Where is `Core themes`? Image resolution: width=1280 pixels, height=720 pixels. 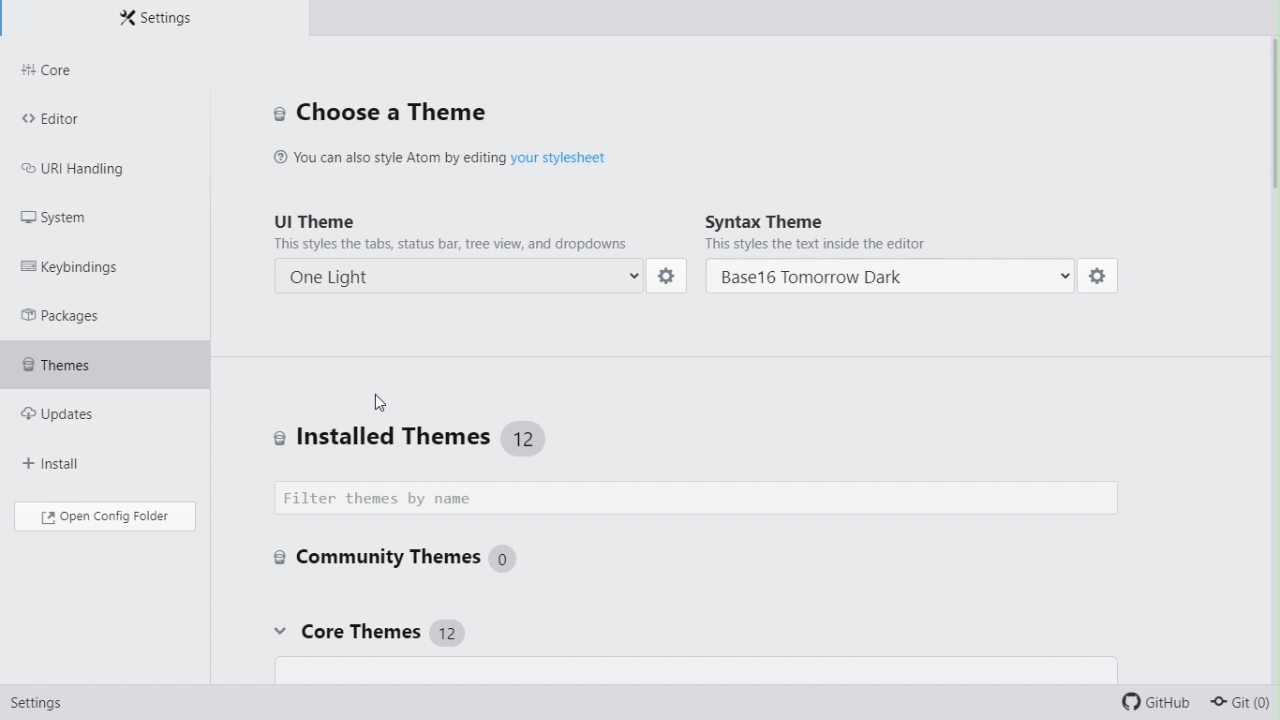
Core themes is located at coordinates (404, 636).